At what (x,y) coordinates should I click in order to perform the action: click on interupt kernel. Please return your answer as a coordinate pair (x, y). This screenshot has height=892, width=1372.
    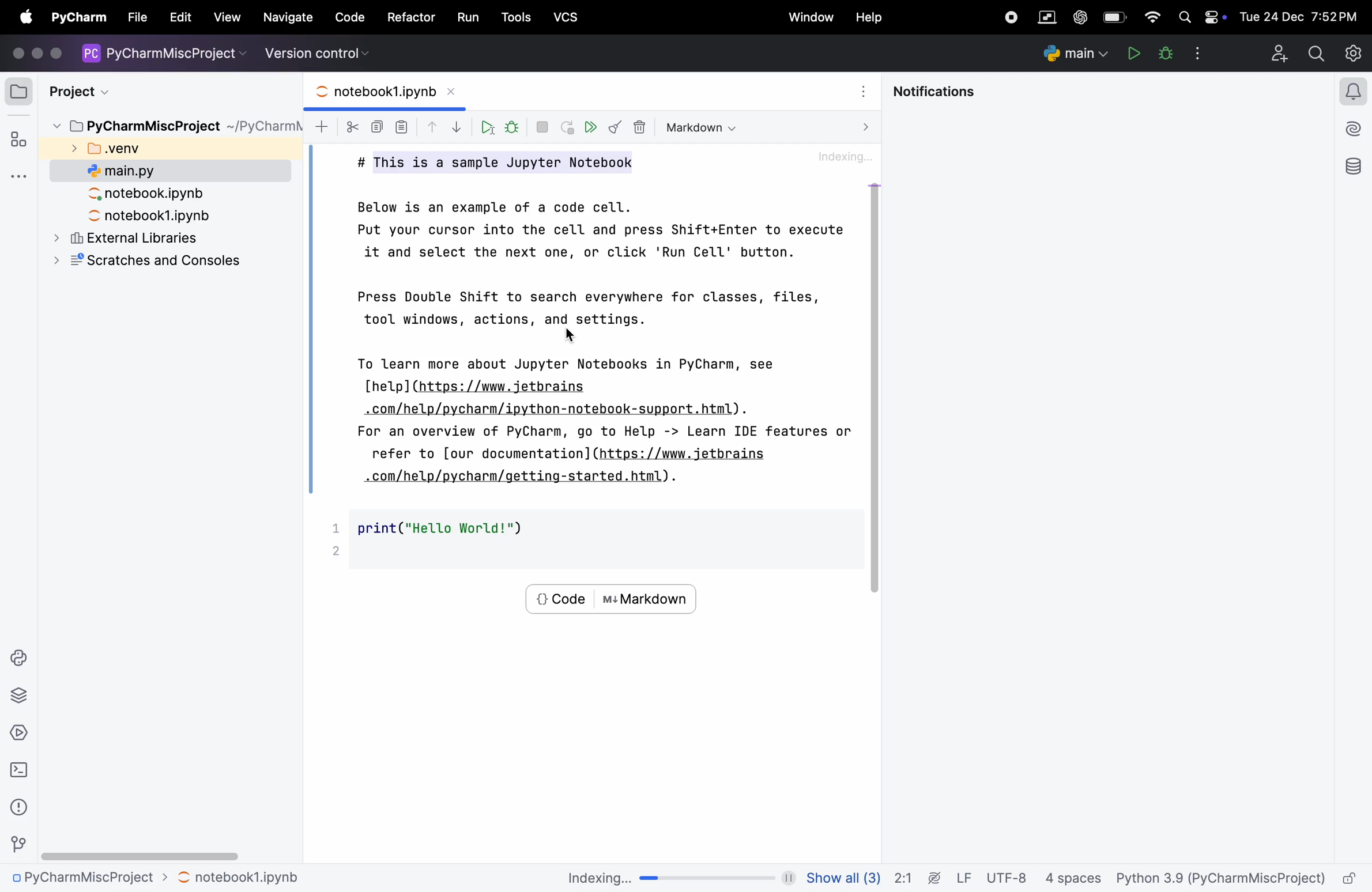
    Looking at the image, I should click on (543, 124).